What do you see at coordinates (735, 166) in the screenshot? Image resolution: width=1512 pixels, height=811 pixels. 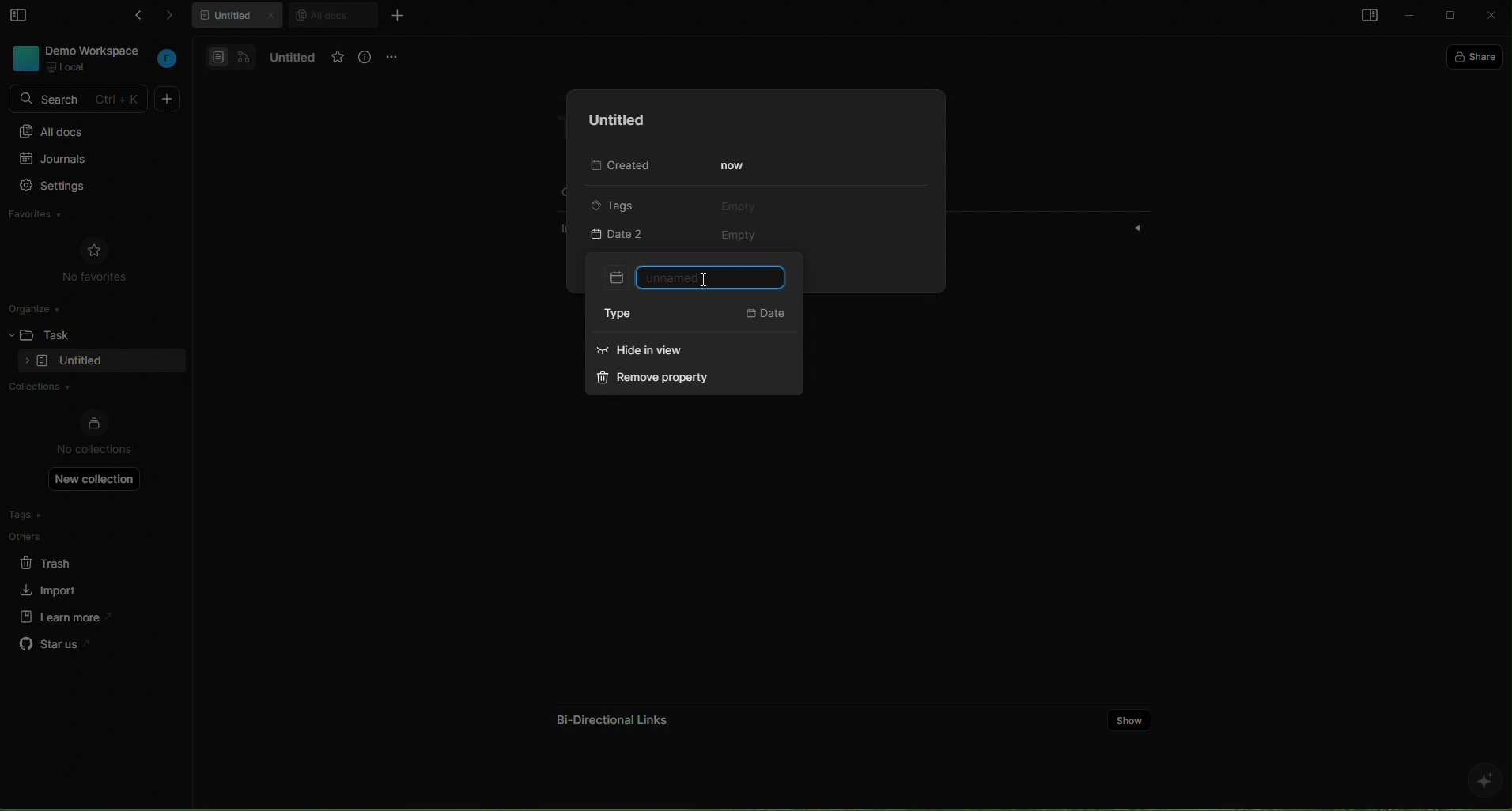 I see `now` at bounding box center [735, 166].